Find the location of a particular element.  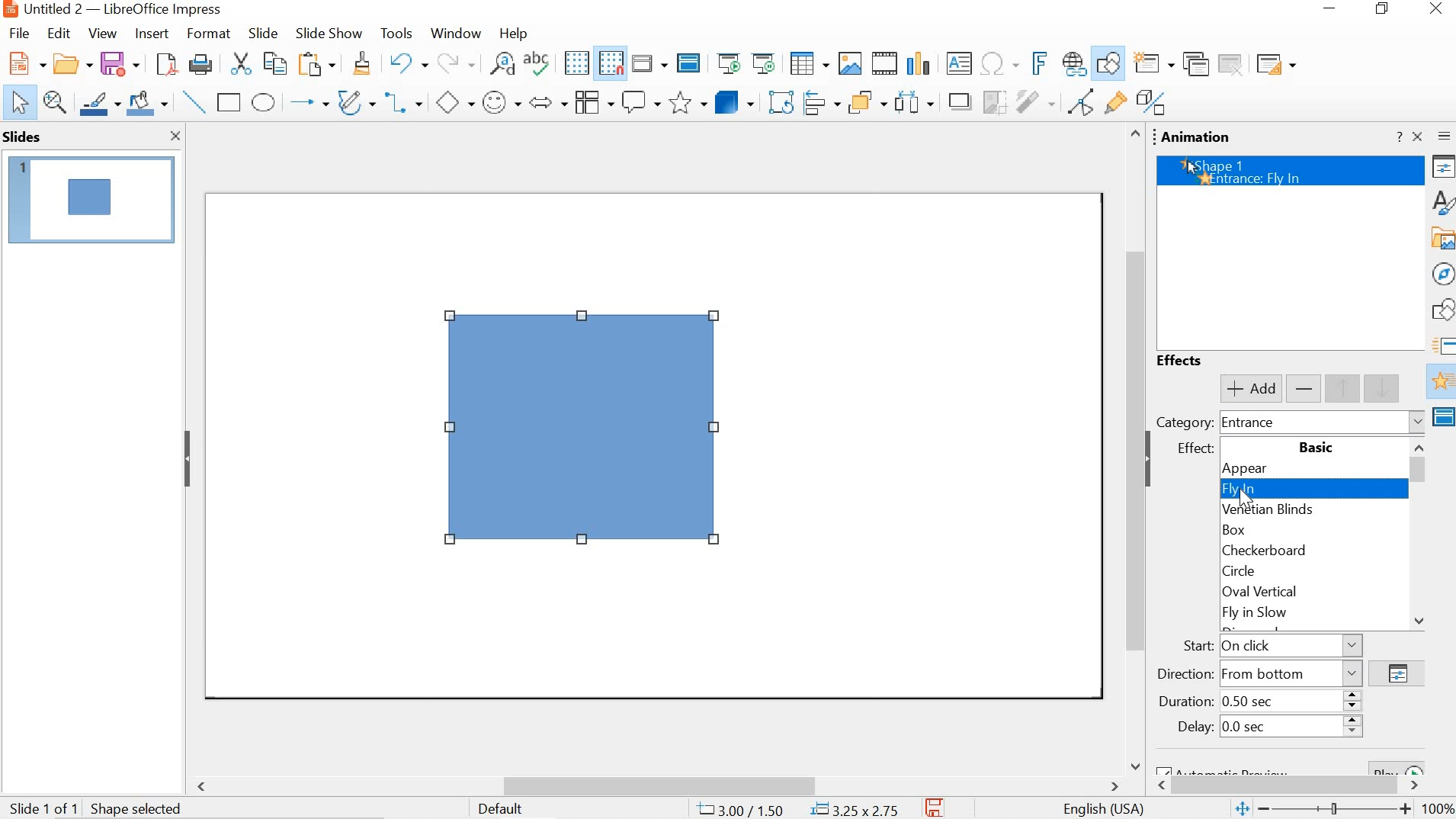

file is located at coordinates (19, 34).